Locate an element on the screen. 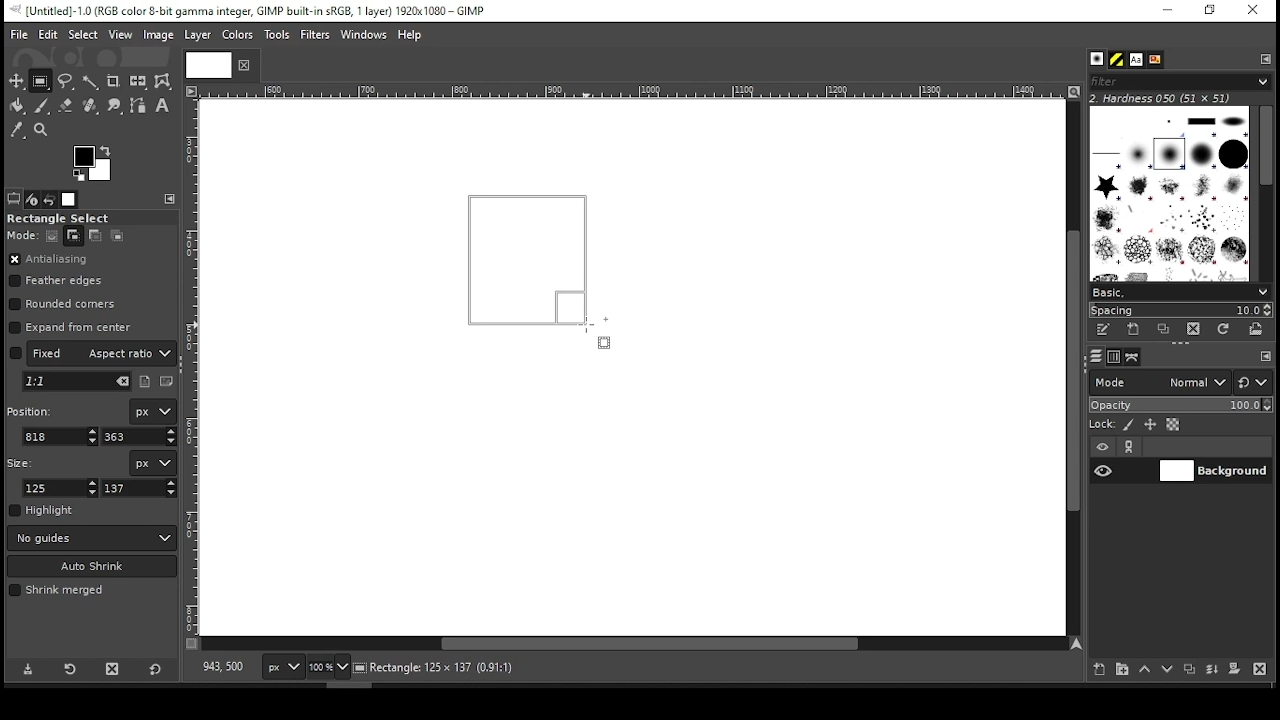 The image size is (1280, 720). lock pixels is located at coordinates (1132, 425).